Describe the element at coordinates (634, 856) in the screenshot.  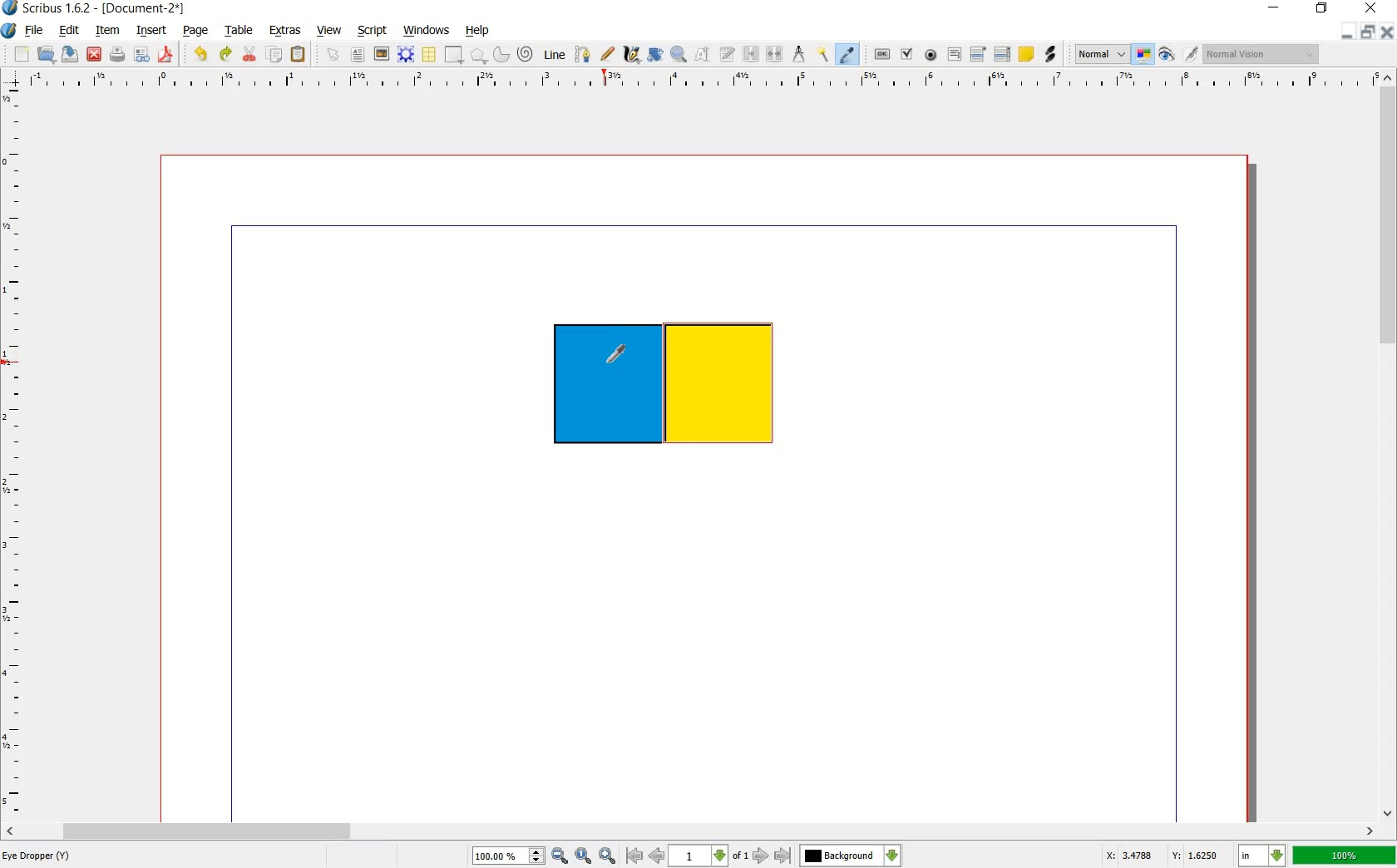
I see `go to first page` at that location.